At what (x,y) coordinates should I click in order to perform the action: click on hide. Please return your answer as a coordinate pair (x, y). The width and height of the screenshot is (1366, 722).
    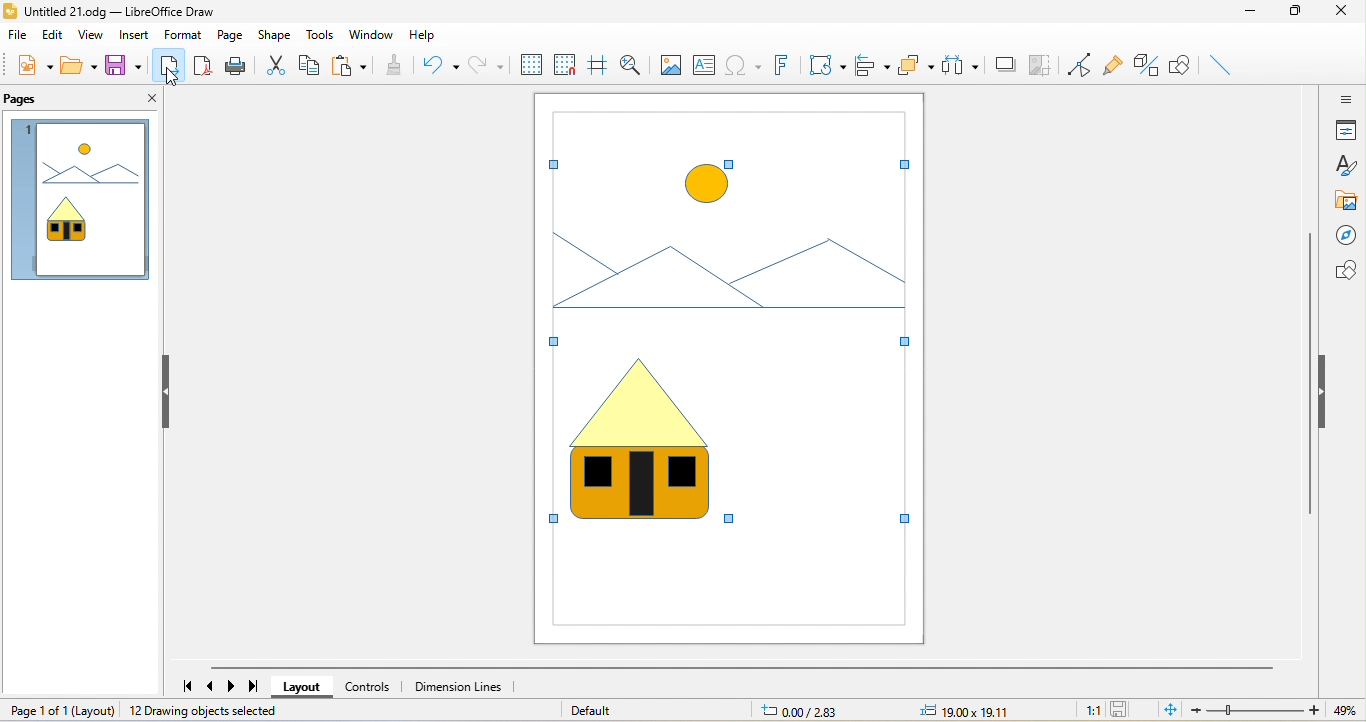
    Looking at the image, I should click on (1327, 395).